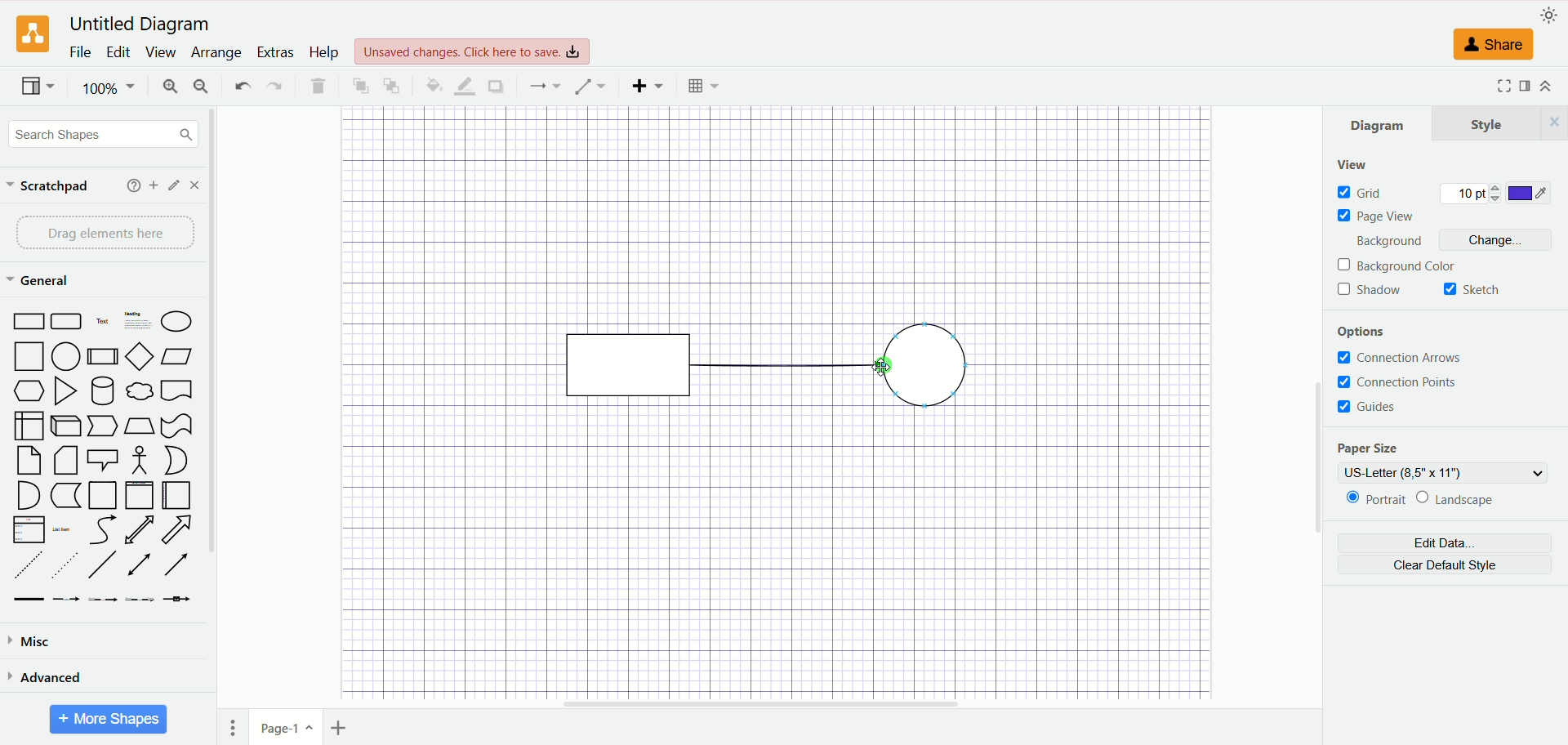 This screenshot has height=745, width=1568. What do you see at coordinates (80, 53) in the screenshot?
I see `file` at bounding box center [80, 53].